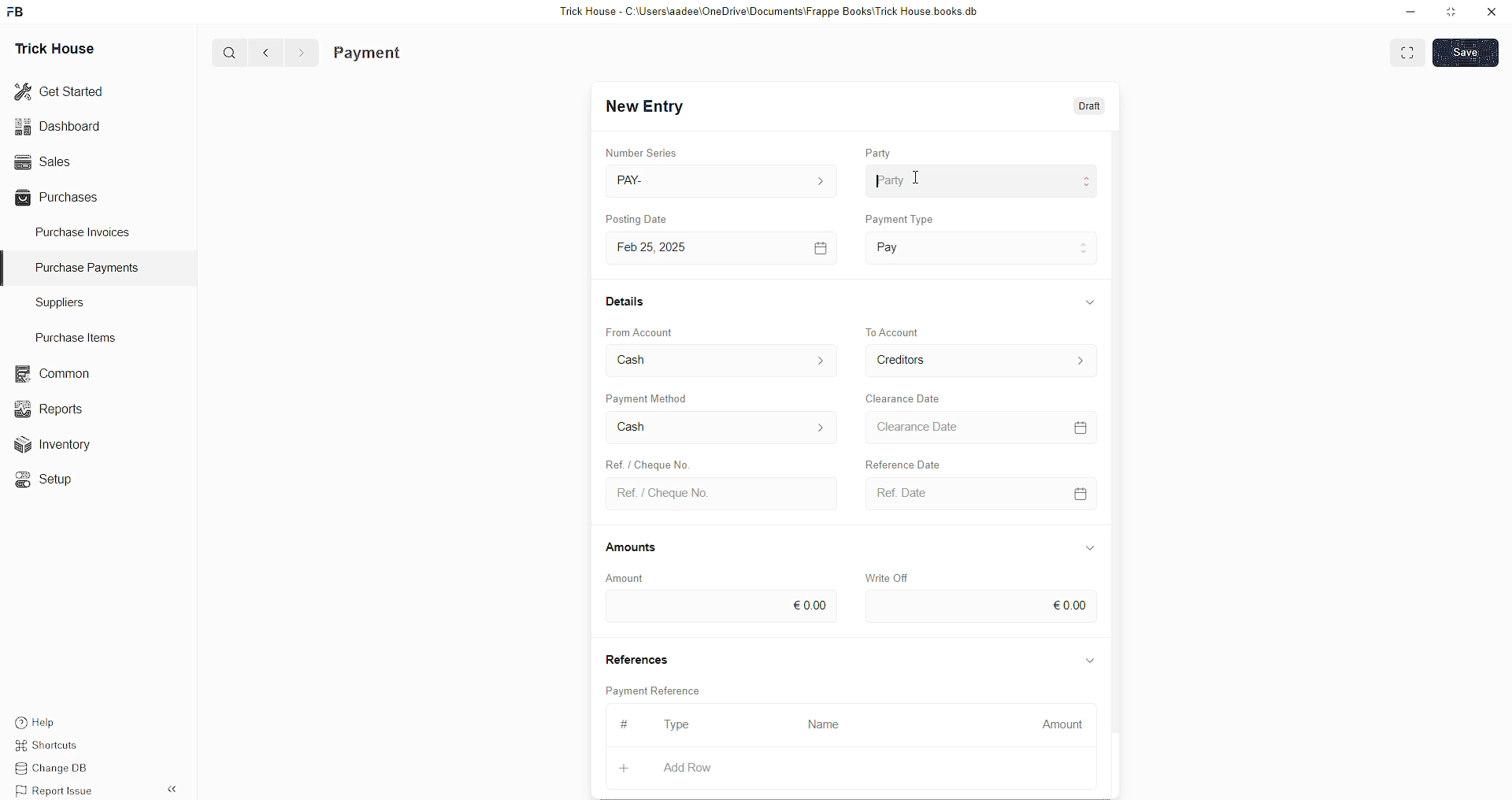 The width and height of the screenshot is (1512, 800). What do you see at coordinates (54, 407) in the screenshot?
I see `Reports` at bounding box center [54, 407].